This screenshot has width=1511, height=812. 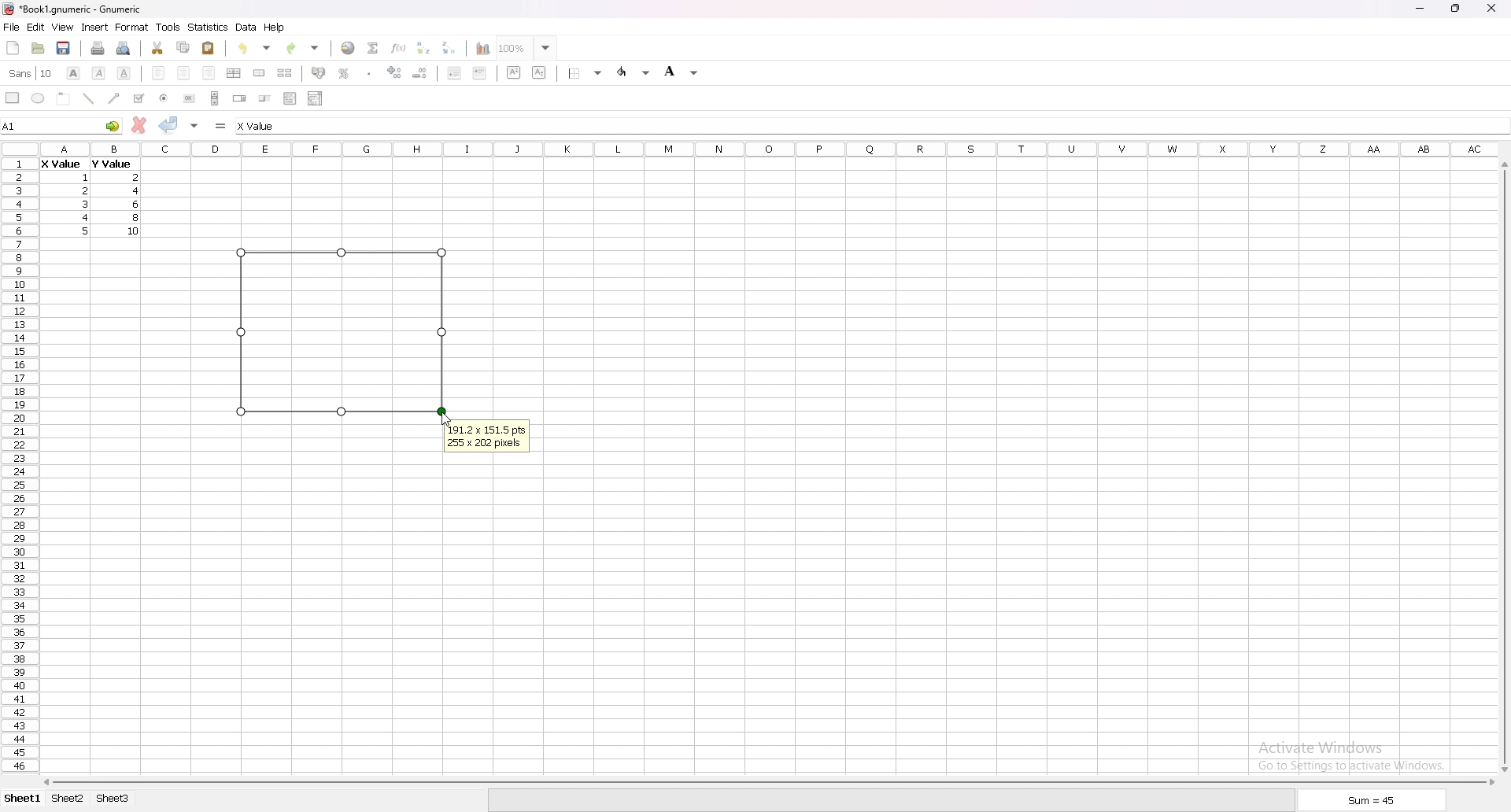 I want to click on insert, so click(x=95, y=27).